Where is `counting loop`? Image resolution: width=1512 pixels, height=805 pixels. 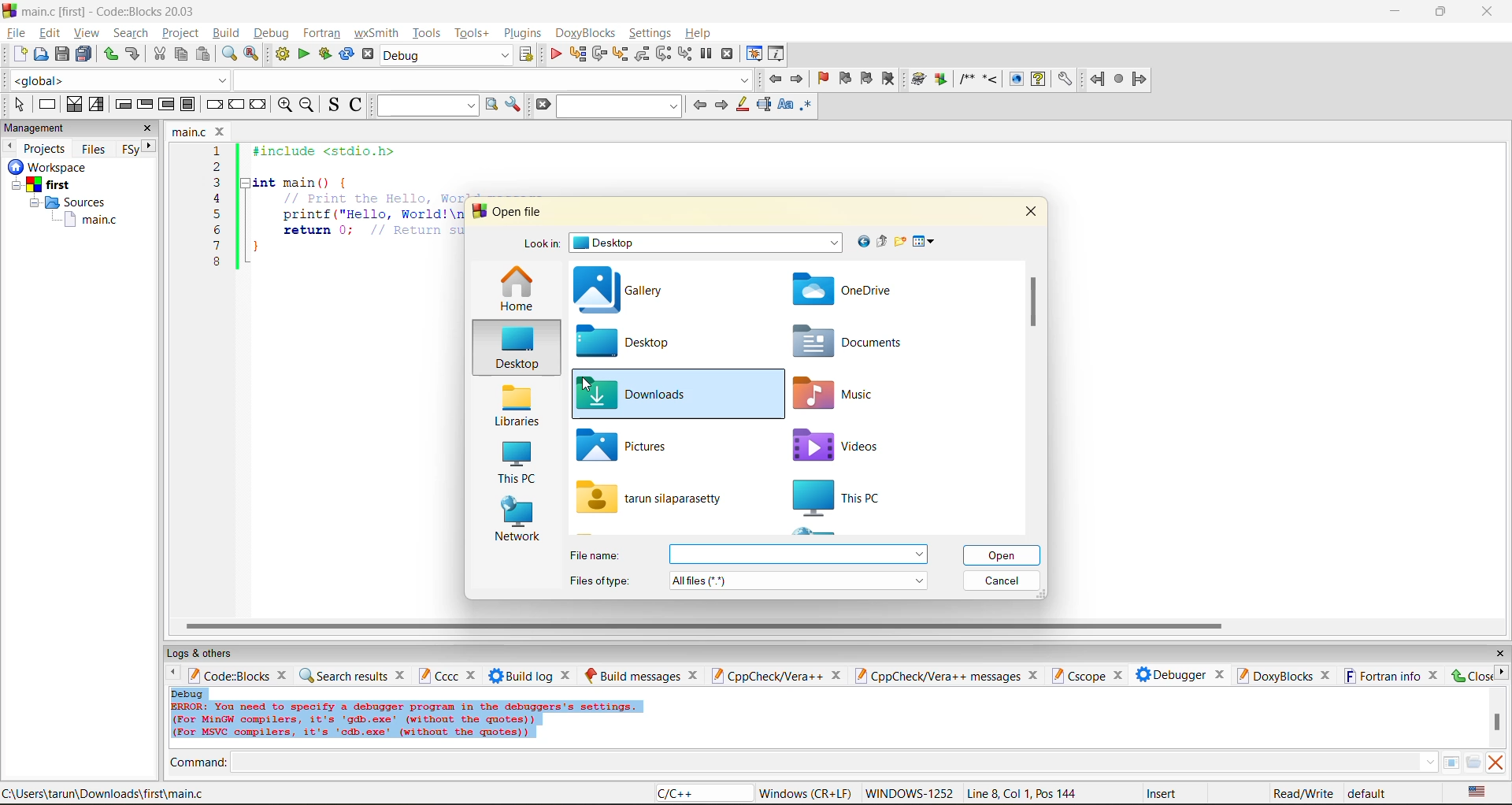 counting loop is located at coordinates (167, 106).